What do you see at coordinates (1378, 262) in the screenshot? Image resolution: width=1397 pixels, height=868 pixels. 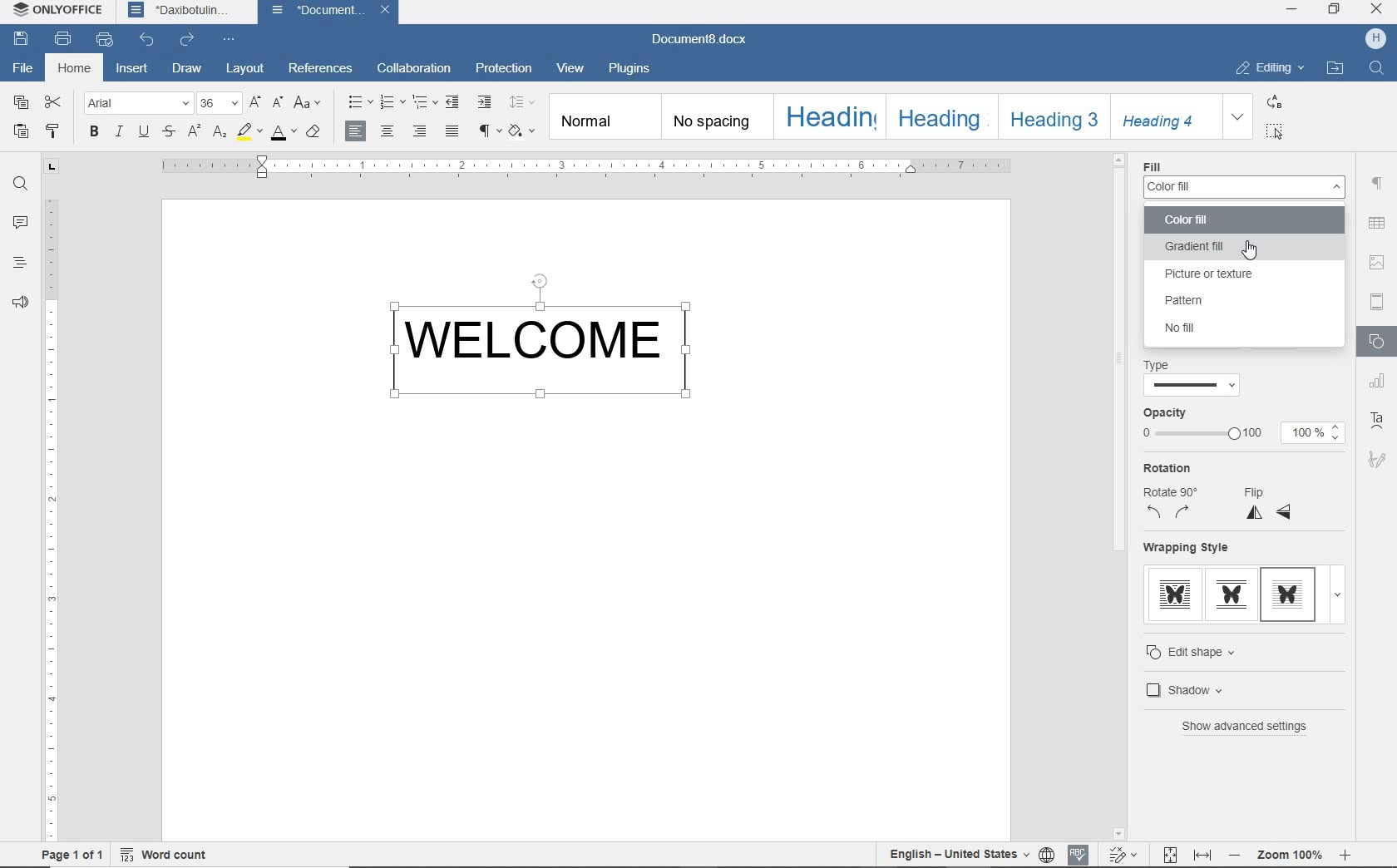 I see `IMAGE` at bounding box center [1378, 262].